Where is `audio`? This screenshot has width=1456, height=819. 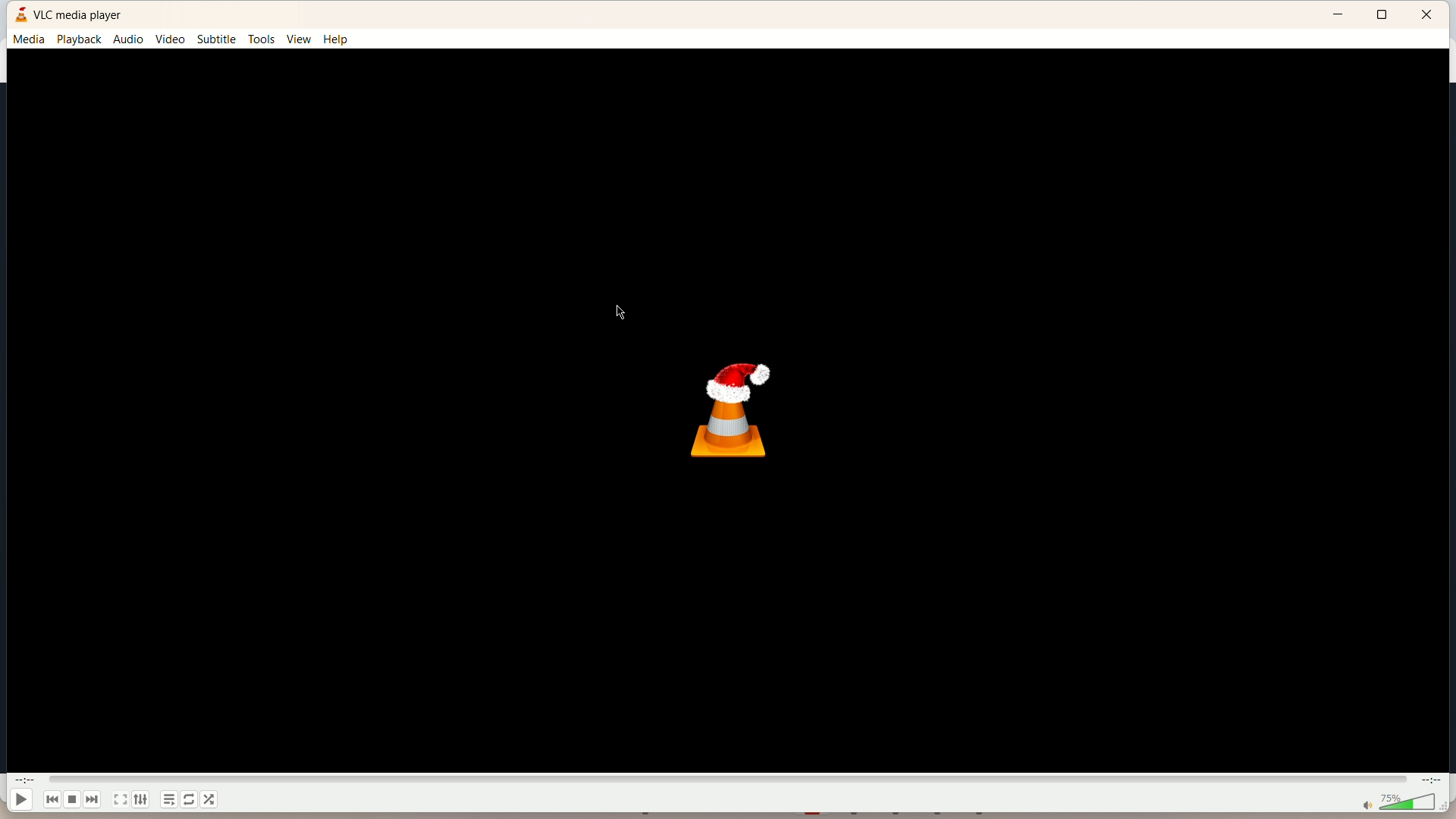 audio is located at coordinates (130, 39).